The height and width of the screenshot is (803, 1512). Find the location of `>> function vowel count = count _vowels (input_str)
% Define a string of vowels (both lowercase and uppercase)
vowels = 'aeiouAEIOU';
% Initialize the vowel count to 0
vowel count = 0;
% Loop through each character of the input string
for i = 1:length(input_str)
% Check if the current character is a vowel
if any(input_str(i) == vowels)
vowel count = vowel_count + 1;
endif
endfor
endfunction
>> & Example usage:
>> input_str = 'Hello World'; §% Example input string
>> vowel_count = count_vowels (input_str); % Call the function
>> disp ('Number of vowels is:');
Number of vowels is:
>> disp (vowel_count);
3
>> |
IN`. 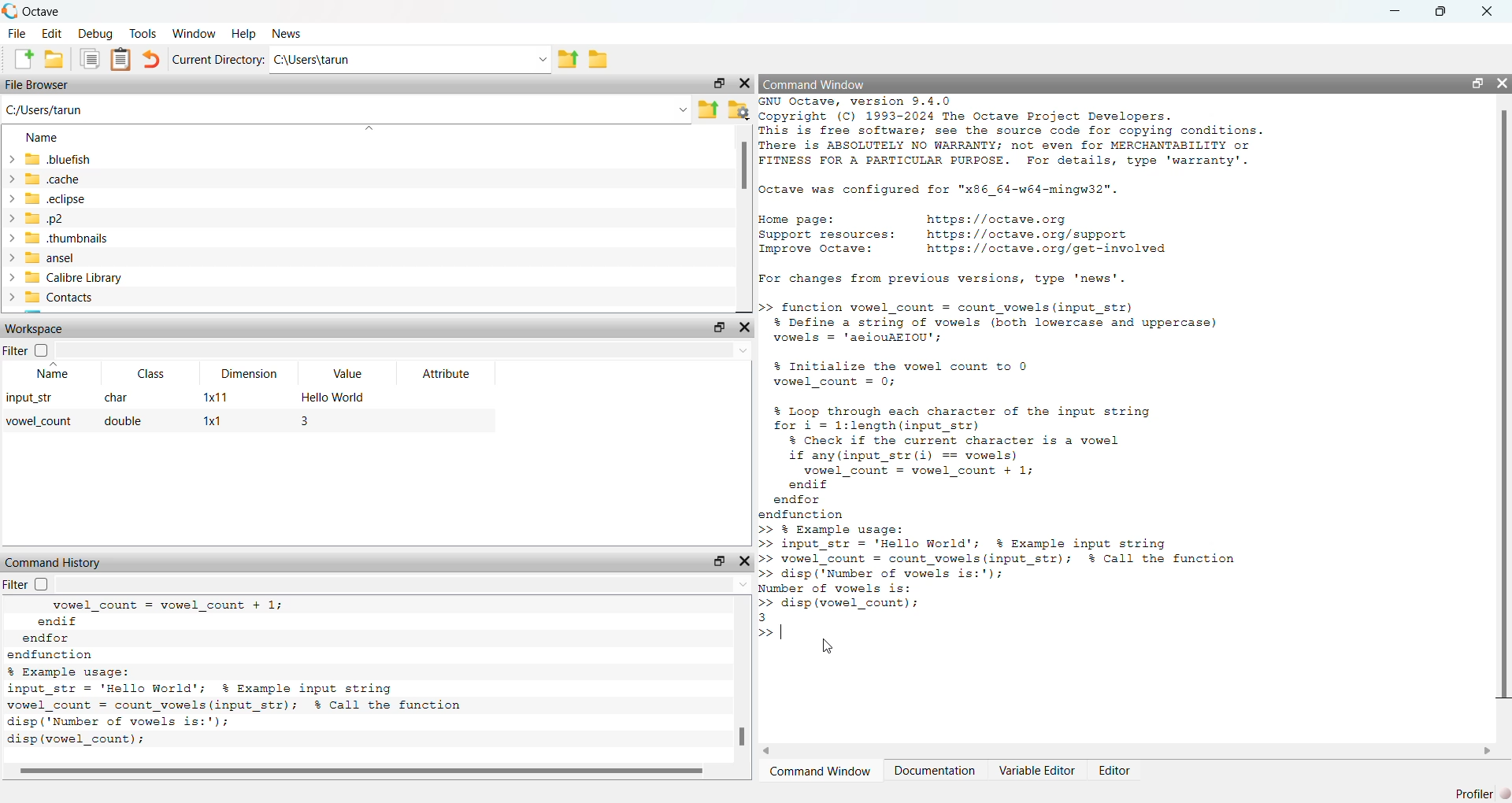

>> function vowel count = count _vowels (input_str)
% Define a string of vowels (both lowercase and uppercase)
vowels = 'aeiouAEIOU';
% Initialize the vowel count to 0
vowel count = 0;
% Loop through each character of the input string
for i = 1:length(input_str)
% Check if the current character is a vowel
if any(input_str(i) == vowels)
vowel count = vowel_count + 1;
endif
endfor
endfunction
>> & Example usage:
>> input_str = 'Hello World'; §% Example input string
>> vowel_count = count_vowels (input_str); % Call the function
>> disp ('Number of vowels is:');
Number of vowels is:
>> disp (vowel_count);
3
>> |
IN is located at coordinates (1021, 473).